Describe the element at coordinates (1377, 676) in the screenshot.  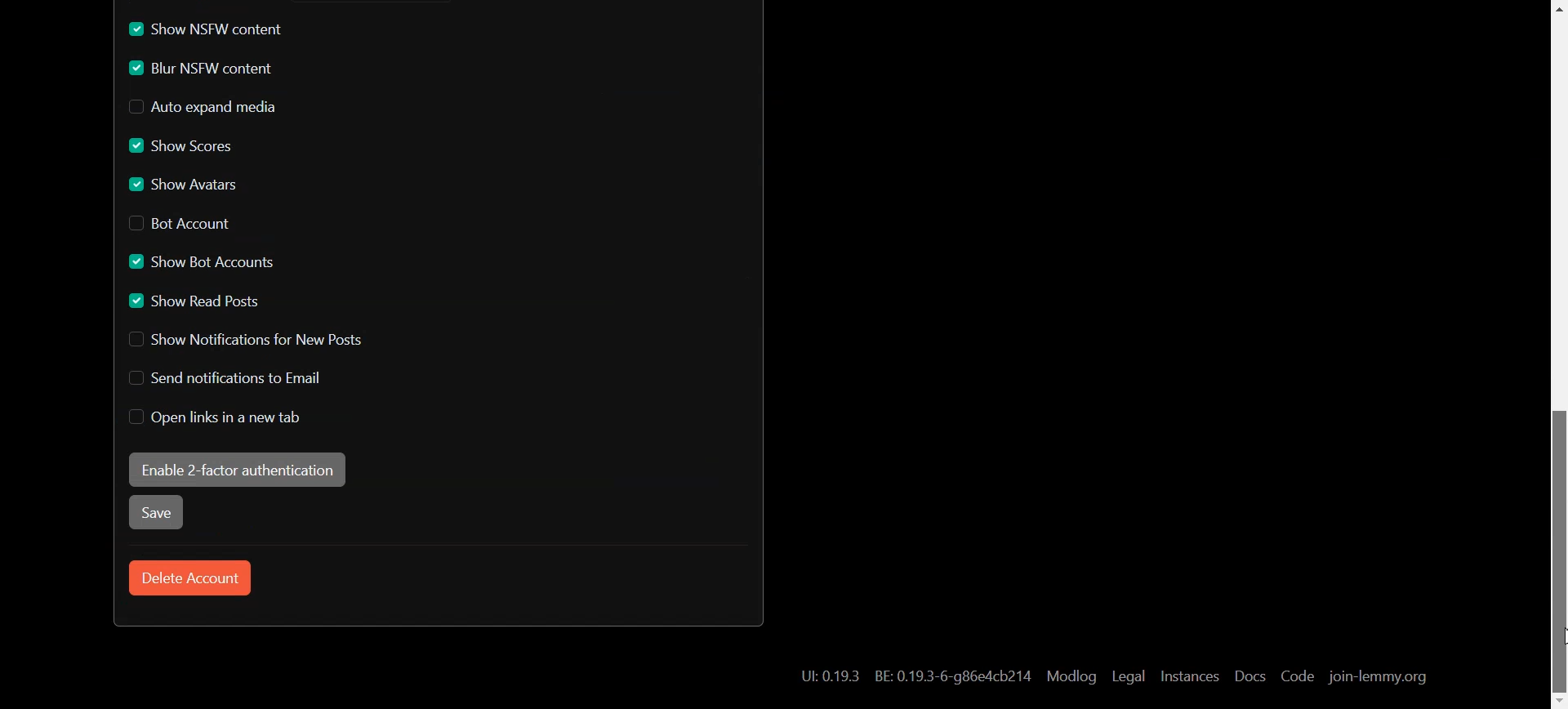
I see `join-lemmy.org` at that location.